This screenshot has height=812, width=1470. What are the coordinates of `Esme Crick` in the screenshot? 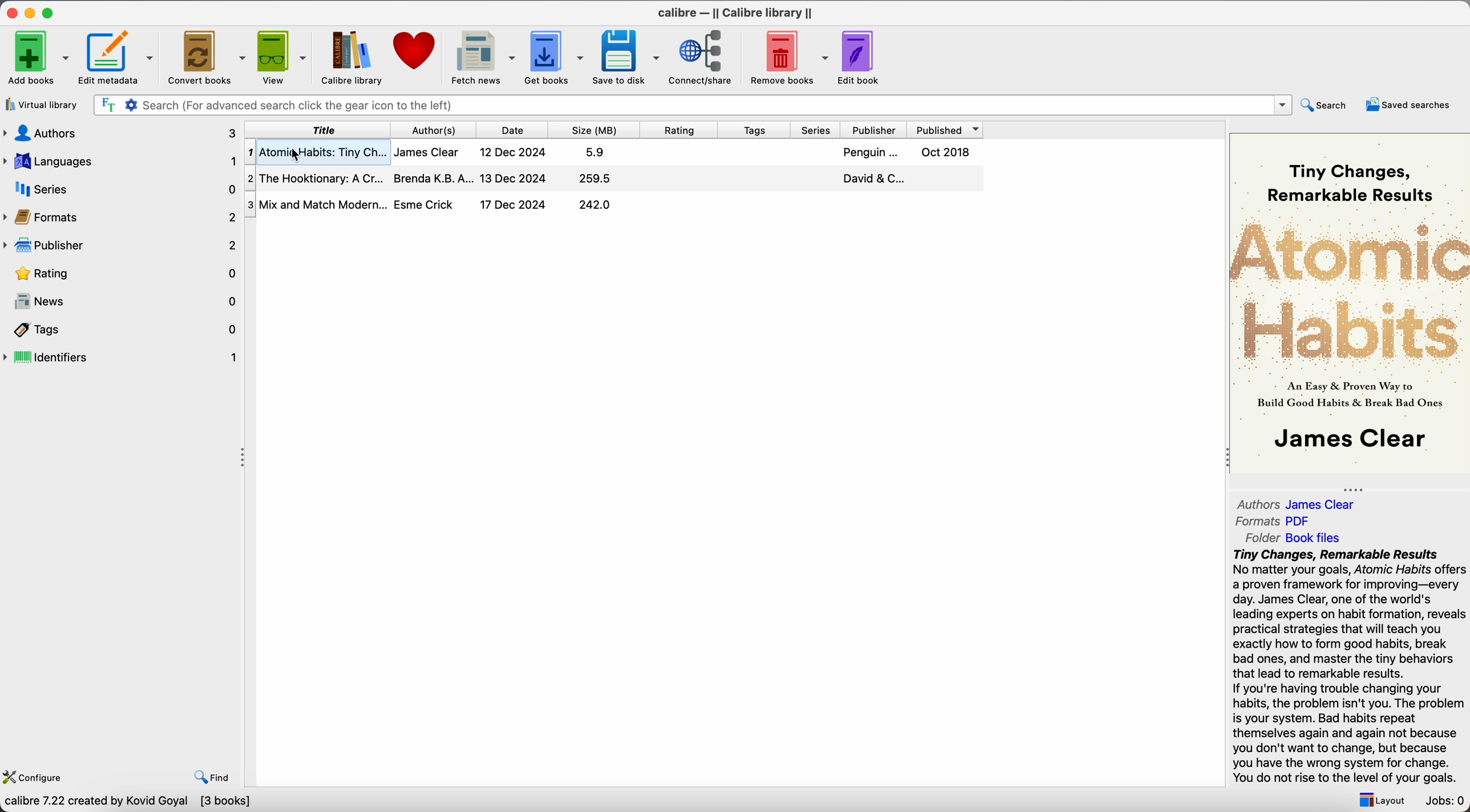 It's located at (426, 204).